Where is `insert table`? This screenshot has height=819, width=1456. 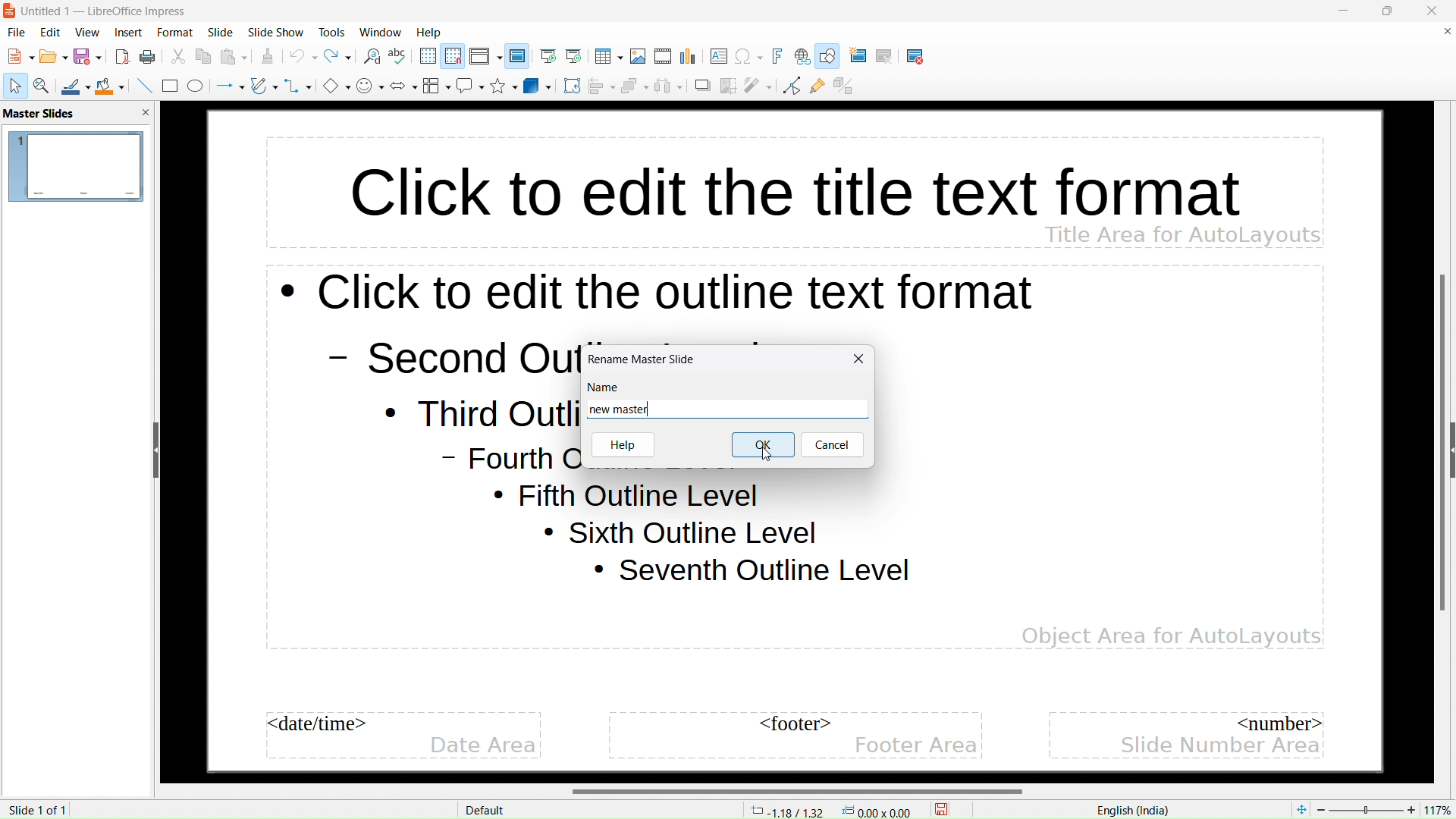
insert table is located at coordinates (609, 56).